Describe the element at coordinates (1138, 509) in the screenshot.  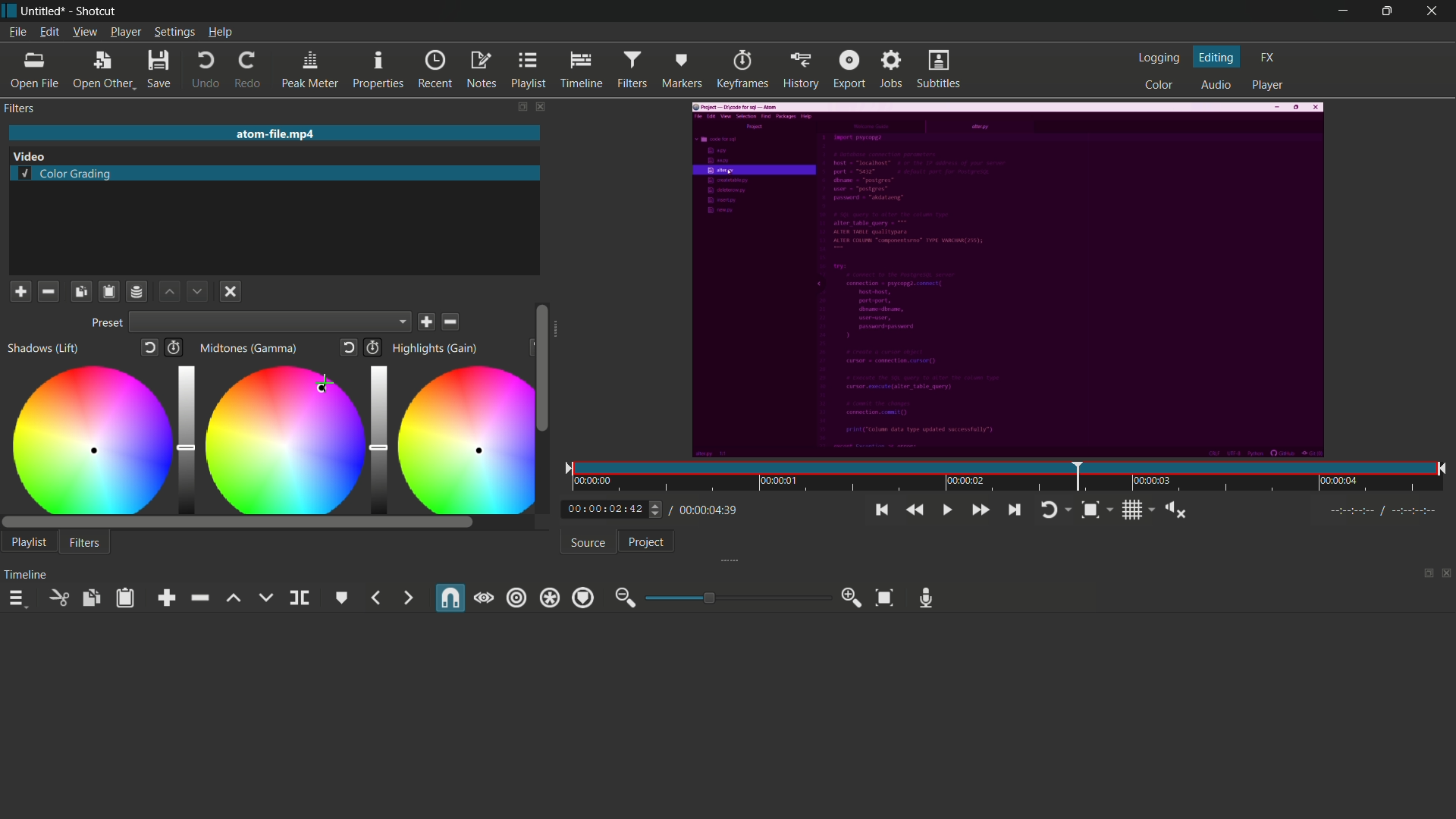
I see `toggle grid` at that location.